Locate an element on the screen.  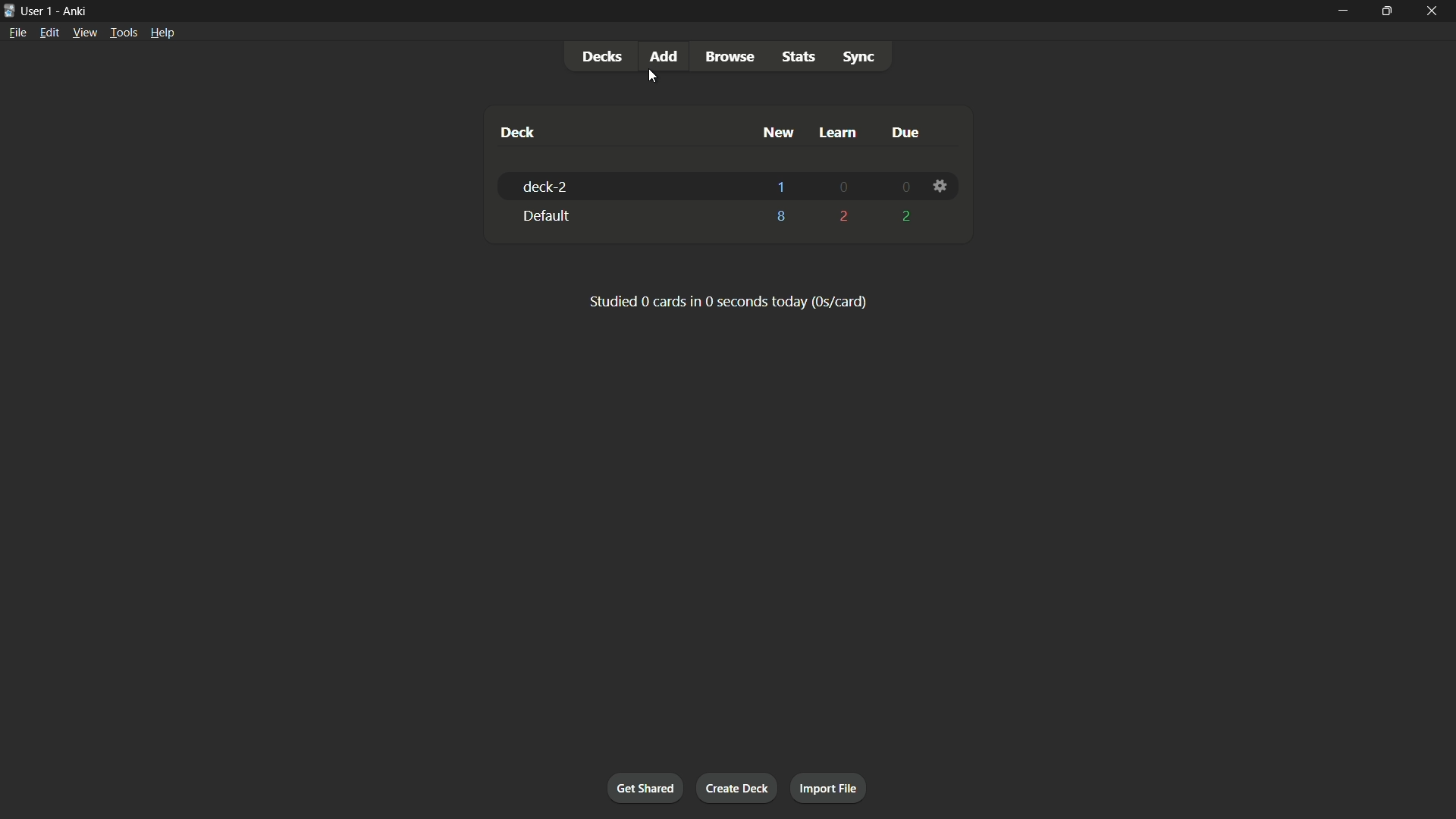
edit menu is located at coordinates (47, 32).